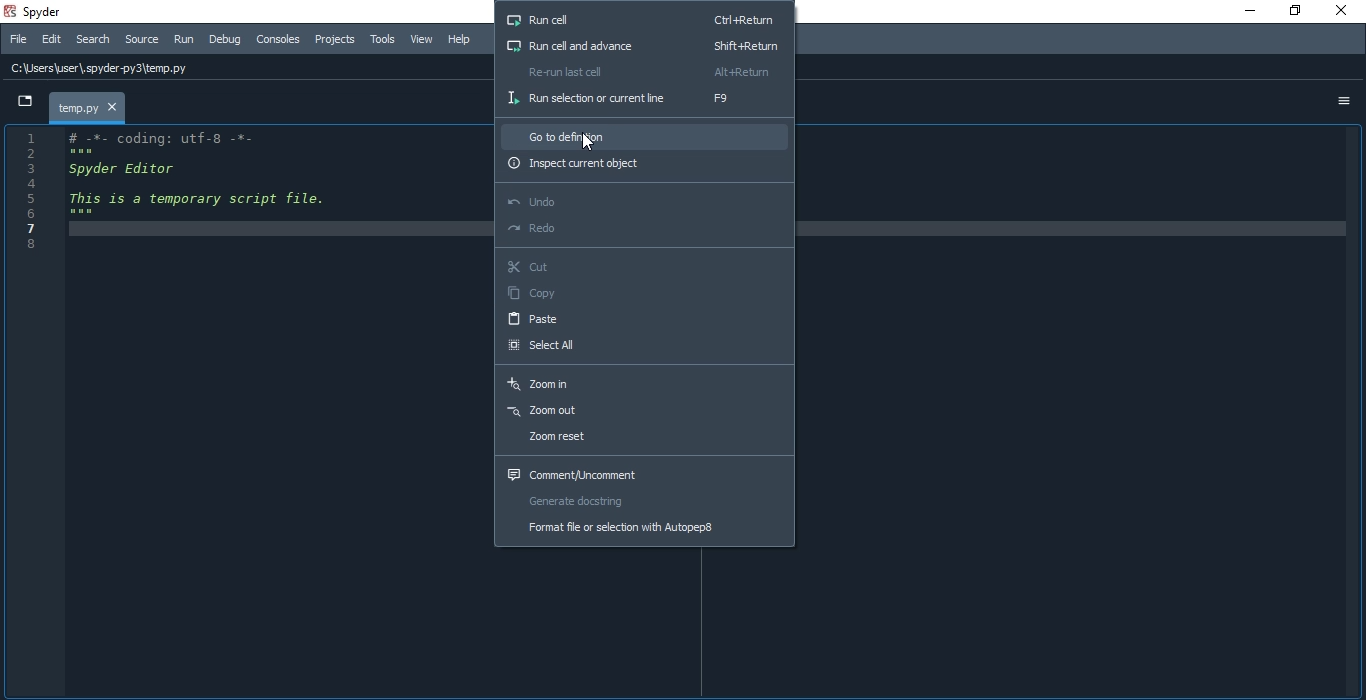 This screenshot has width=1366, height=700. I want to click on Redo, so click(641, 232).